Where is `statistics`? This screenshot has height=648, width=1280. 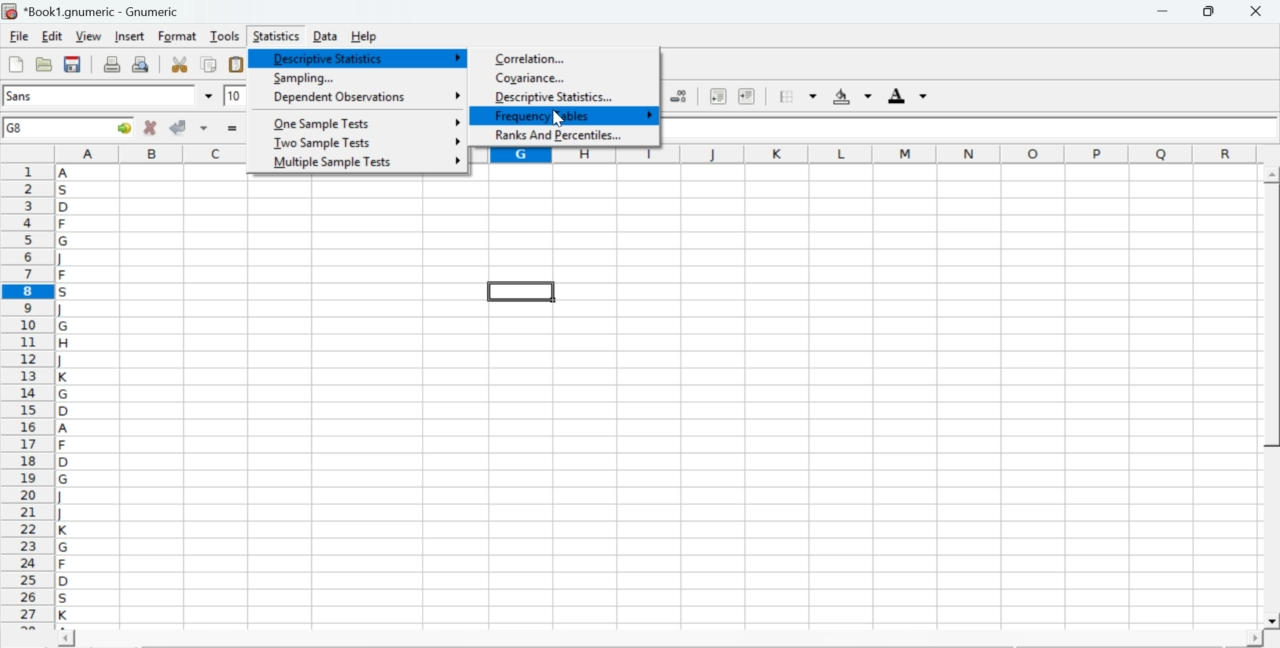 statistics is located at coordinates (274, 36).